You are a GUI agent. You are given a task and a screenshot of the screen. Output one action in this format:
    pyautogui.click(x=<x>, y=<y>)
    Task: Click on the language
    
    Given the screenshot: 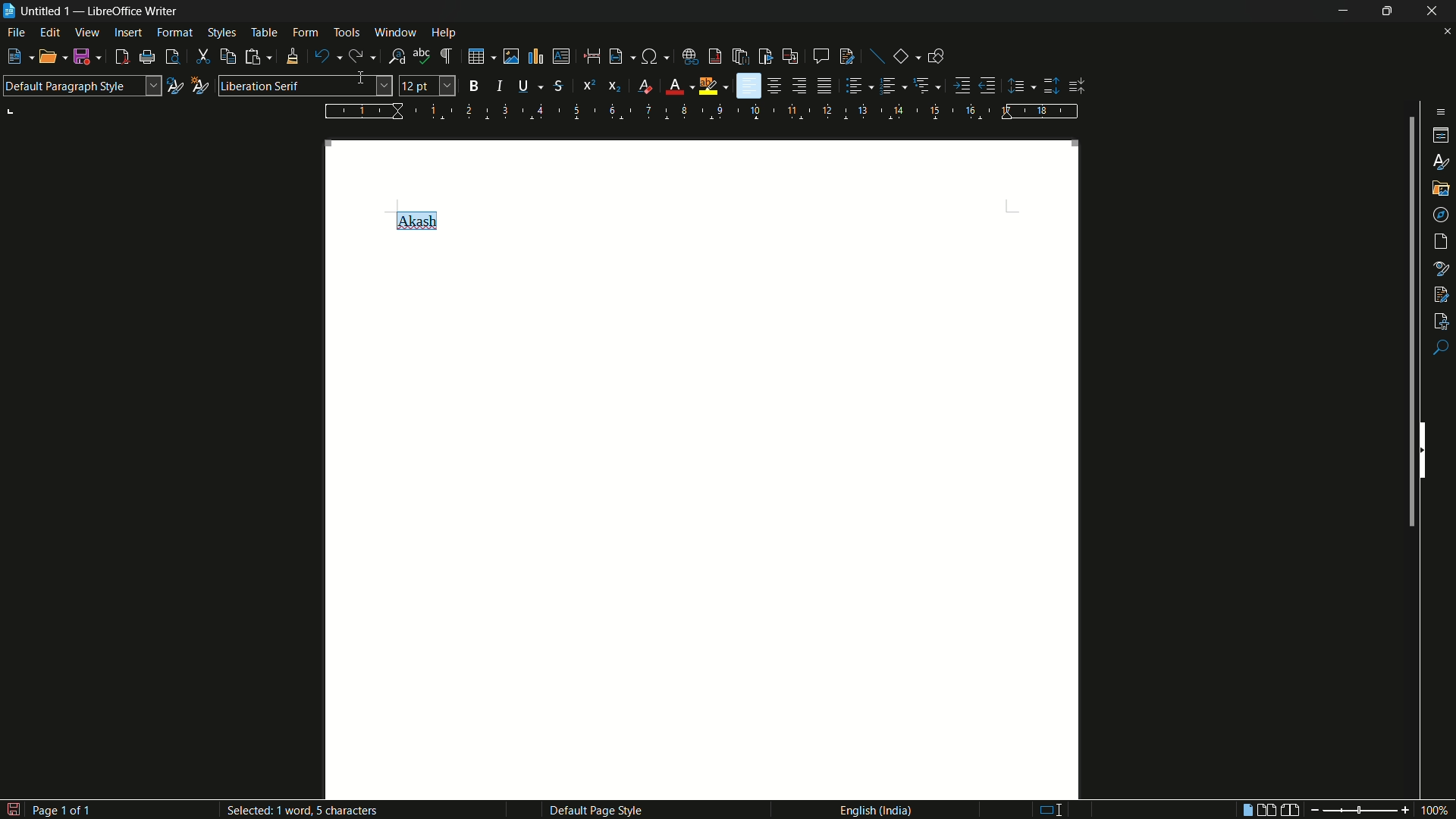 What is the action you would take?
    pyautogui.click(x=874, y=809)
    